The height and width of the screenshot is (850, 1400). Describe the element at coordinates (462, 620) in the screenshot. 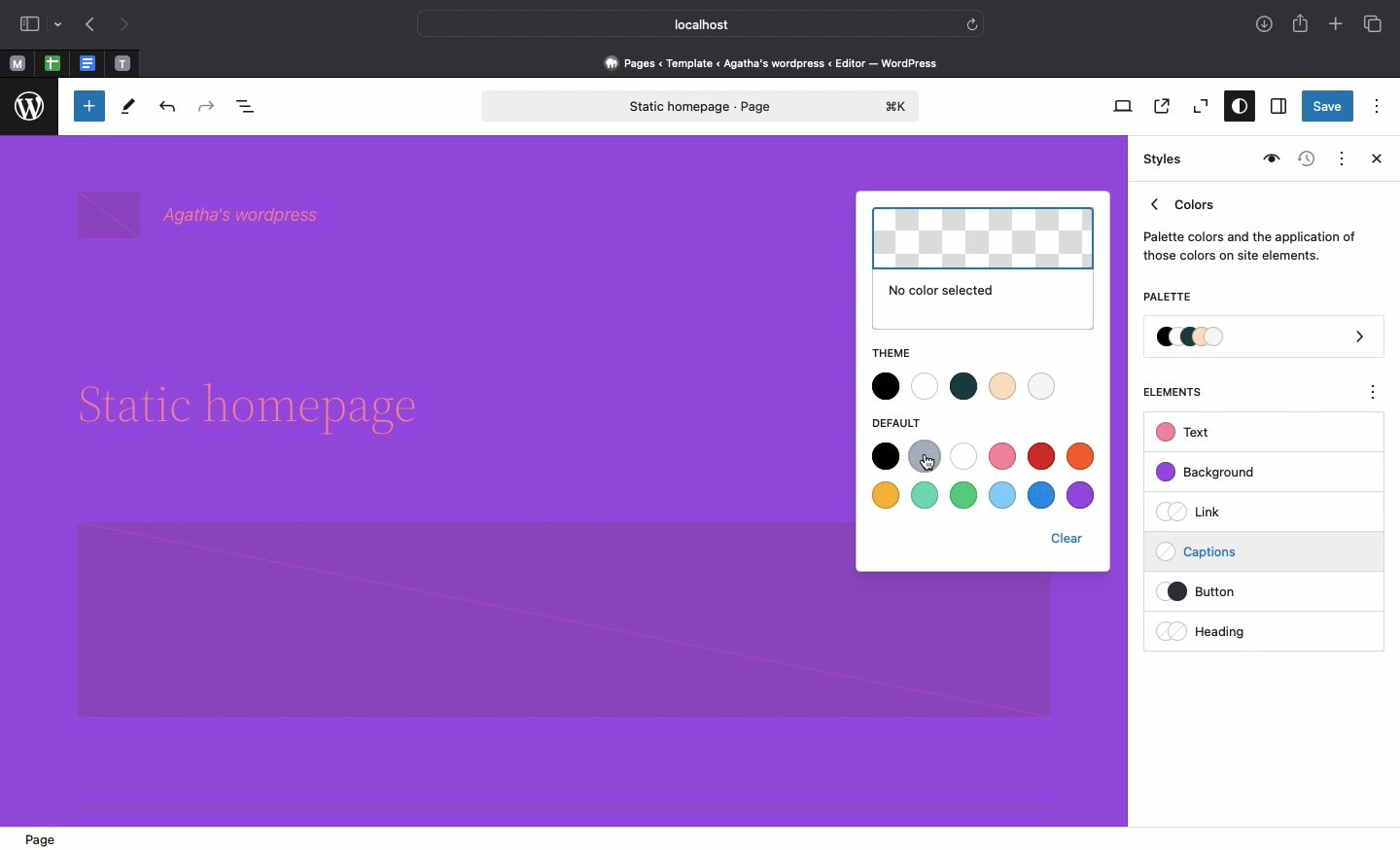

I see `Block` at that location.